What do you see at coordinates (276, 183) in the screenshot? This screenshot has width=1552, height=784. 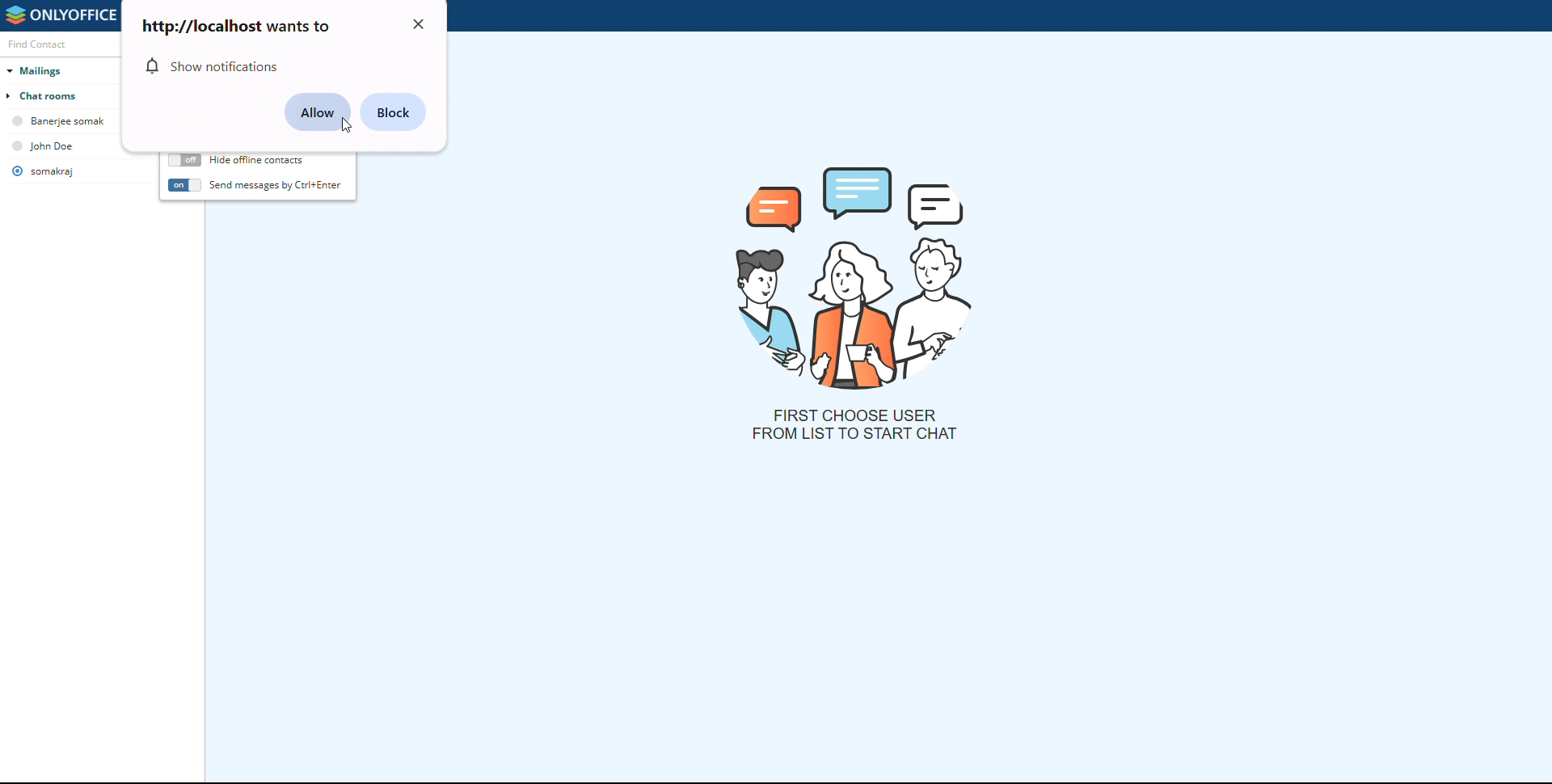 I see `send messages by Ctrl+Enter` at bounding box center [276, 183].